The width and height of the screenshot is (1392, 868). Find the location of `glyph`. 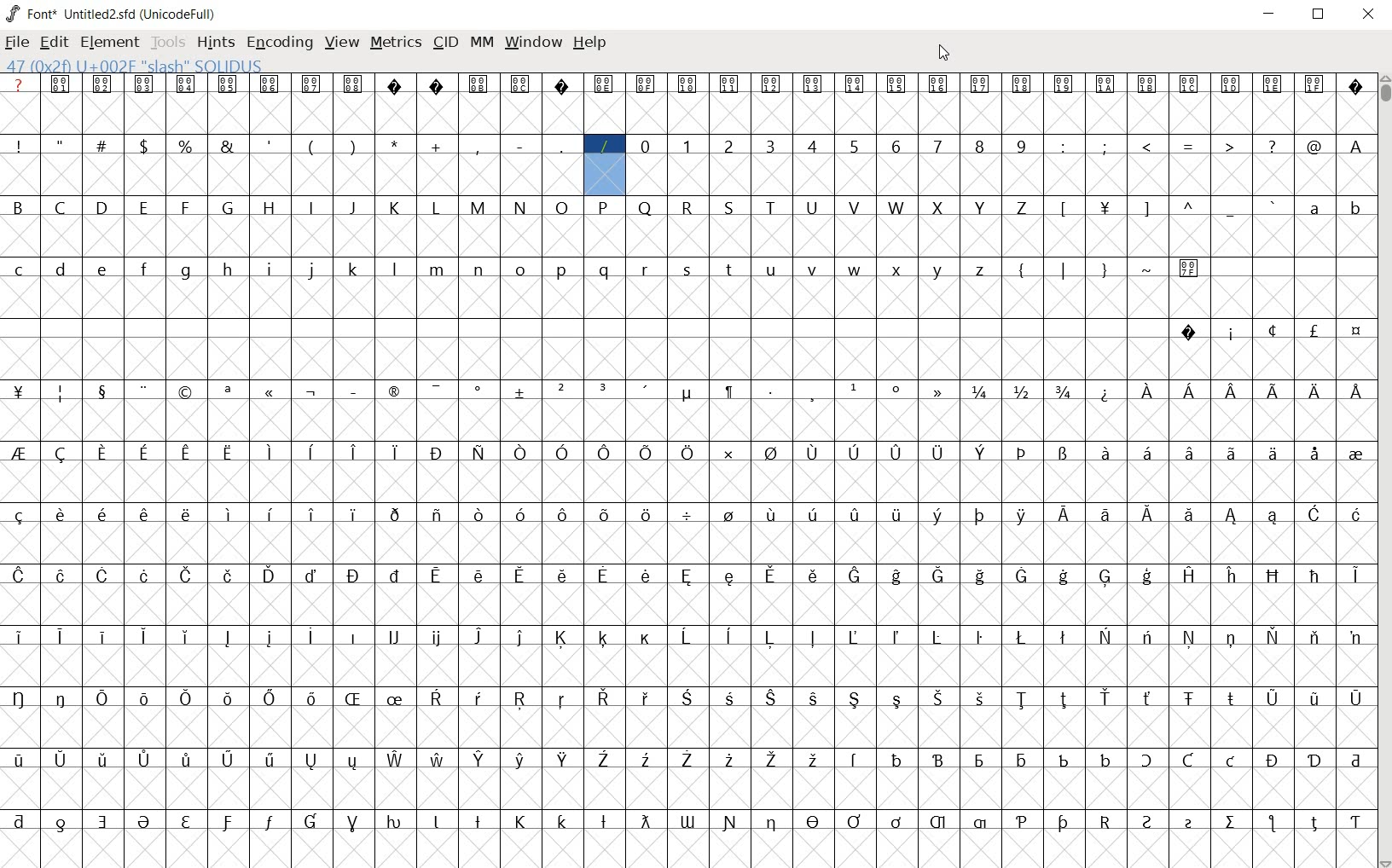

glyph is located at coordinates (311, 821).